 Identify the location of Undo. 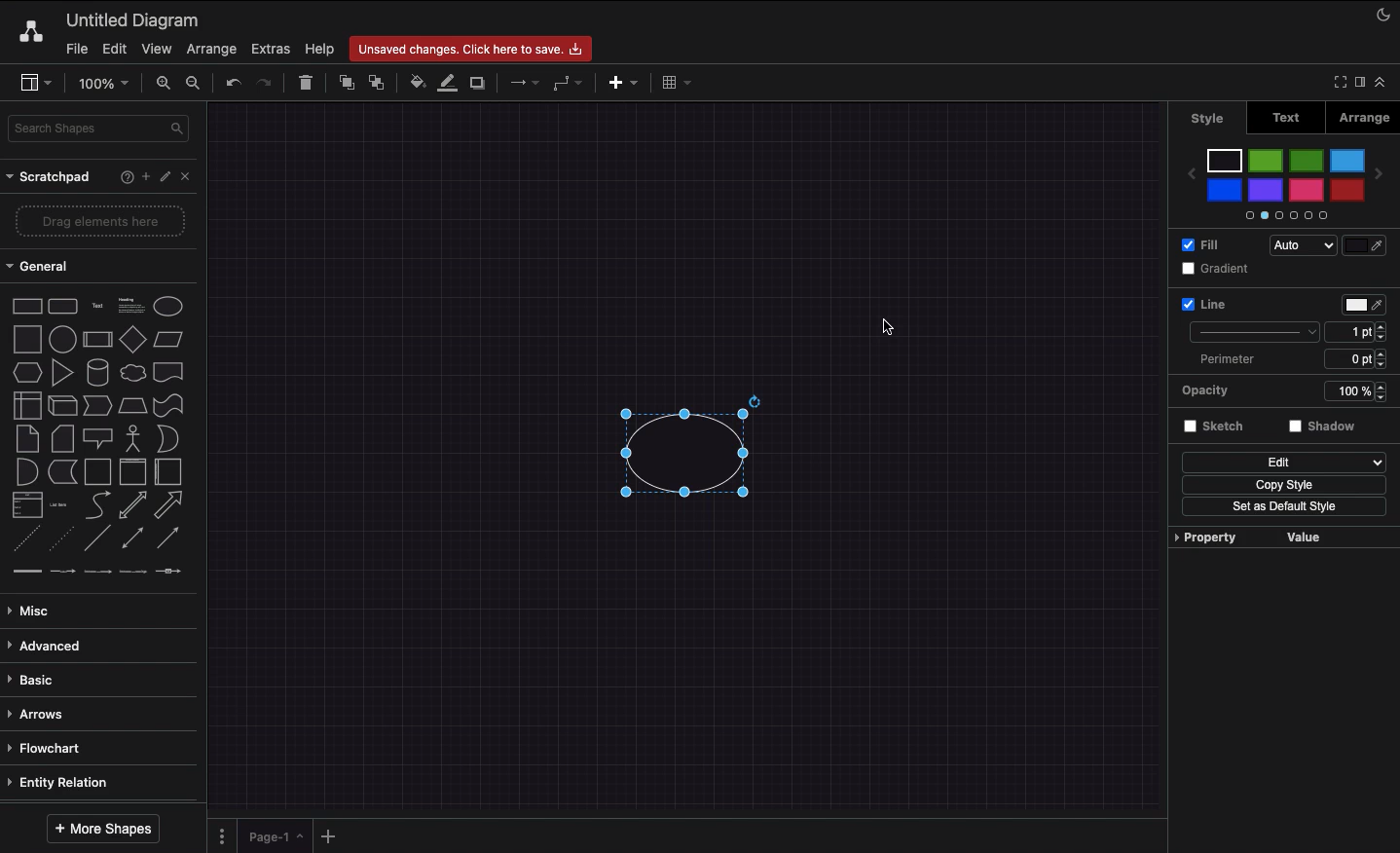
(232, 82).